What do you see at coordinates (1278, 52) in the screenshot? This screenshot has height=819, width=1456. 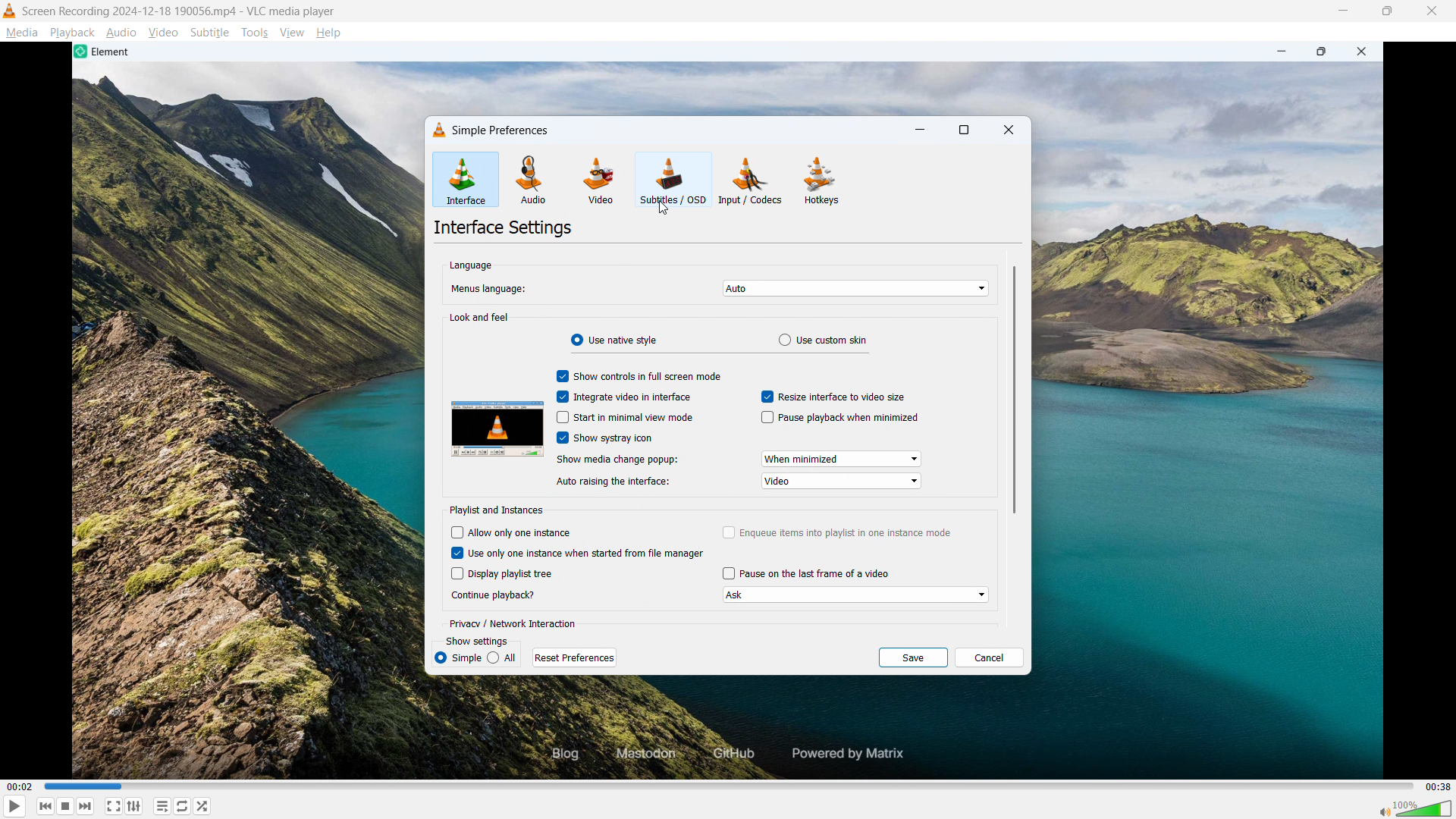 I see `minimize` at bounding box center [1278, 52].